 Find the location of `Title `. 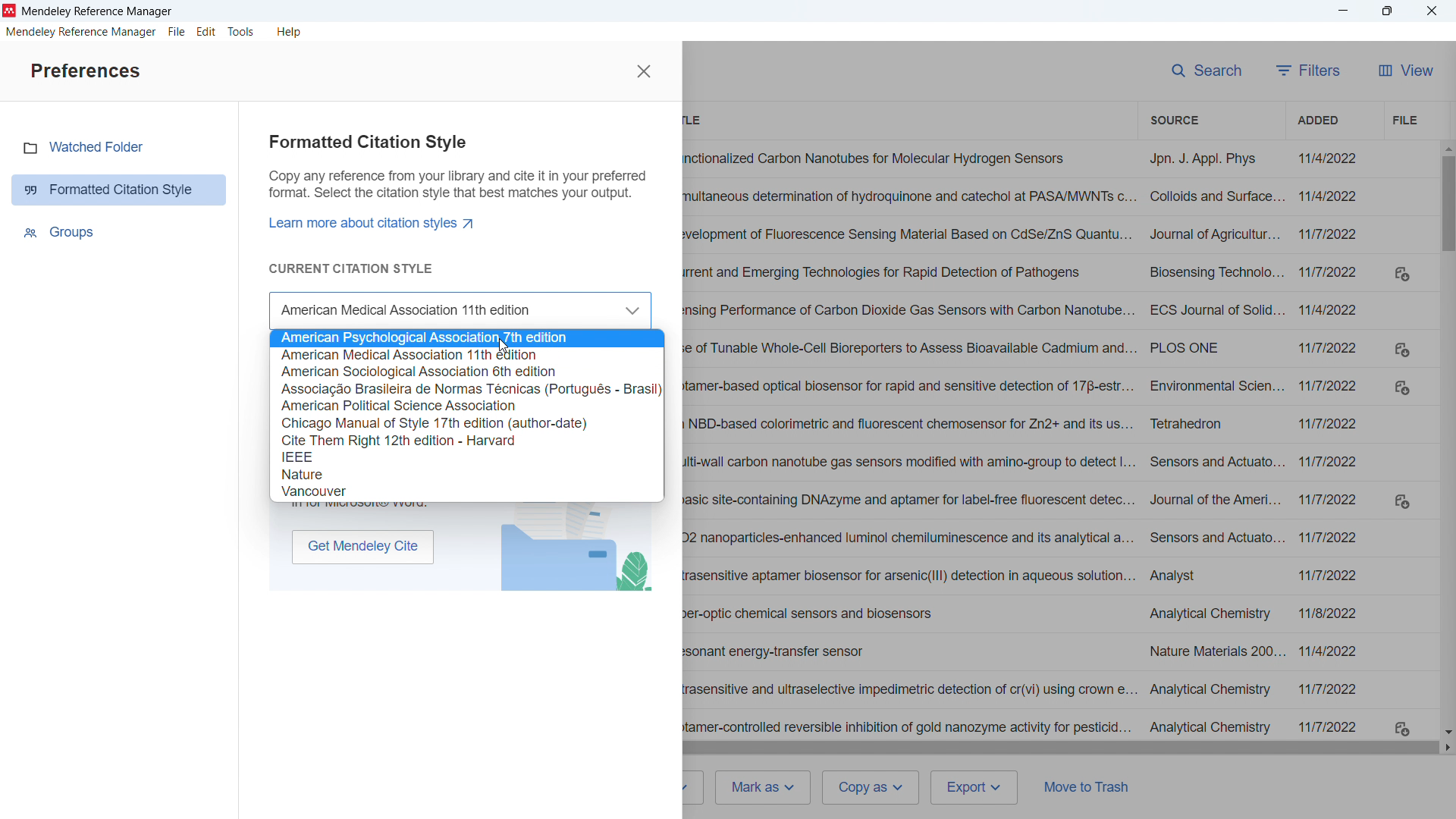

Title  is located at coordinates (99, 11).